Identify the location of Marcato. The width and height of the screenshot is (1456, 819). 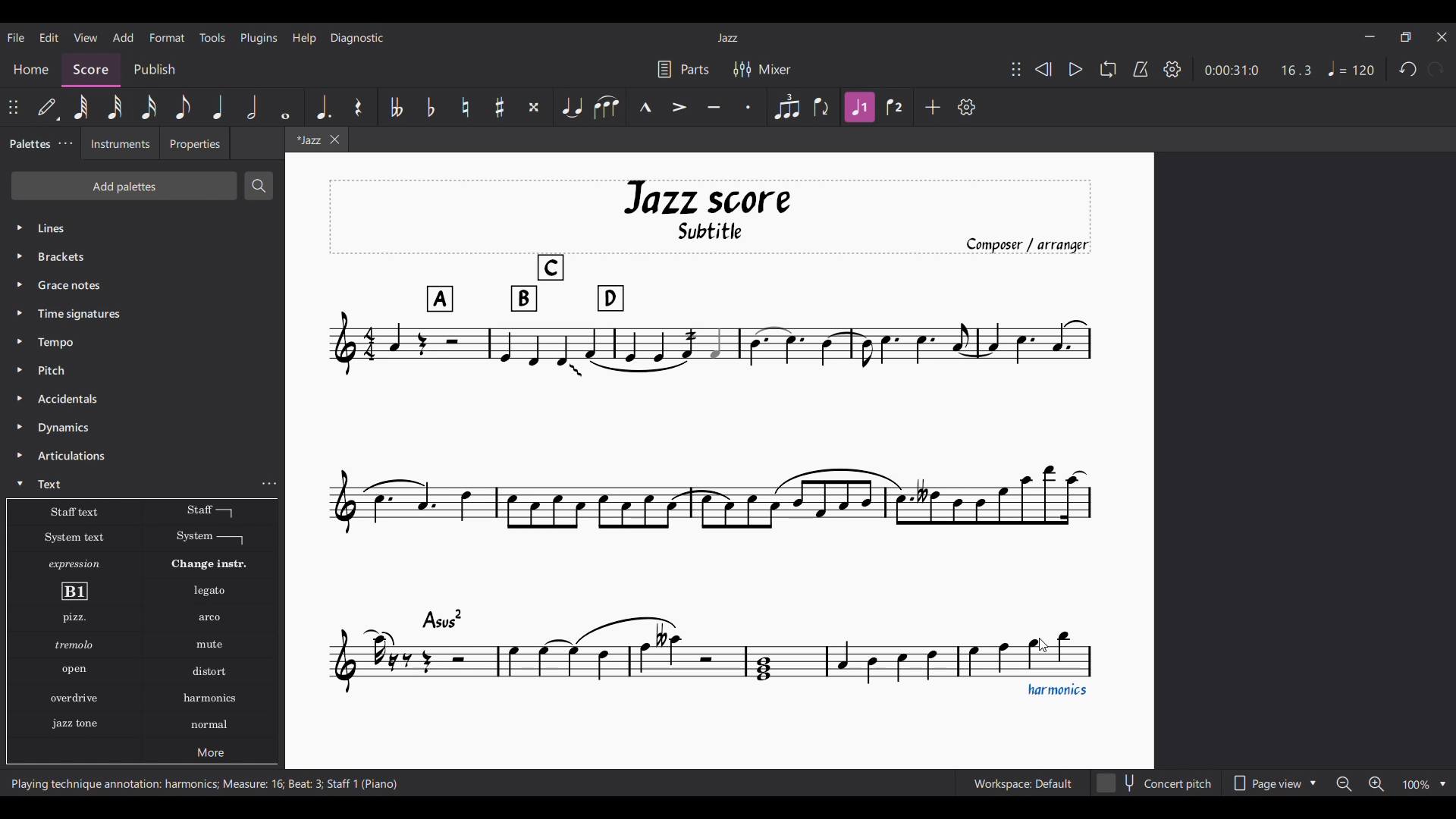
(646, 106).